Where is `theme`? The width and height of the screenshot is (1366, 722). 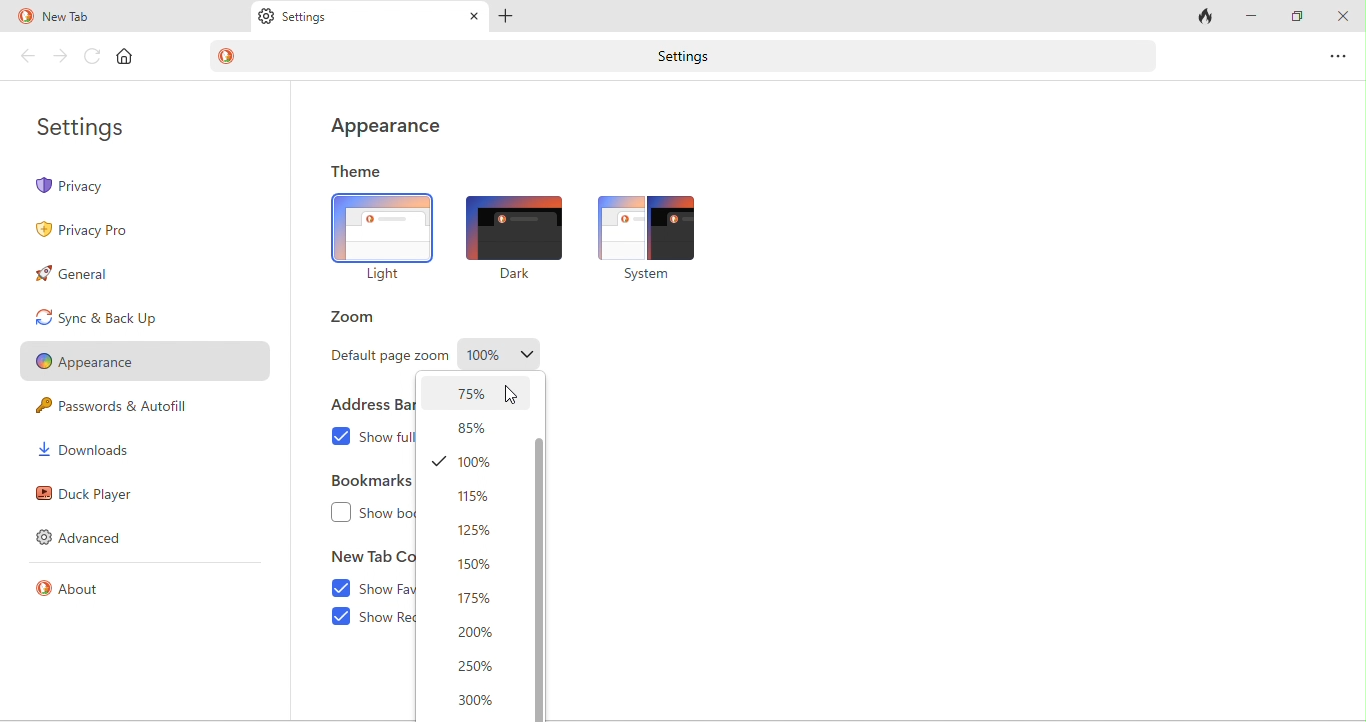 theme is located at coordinates (359, 173).